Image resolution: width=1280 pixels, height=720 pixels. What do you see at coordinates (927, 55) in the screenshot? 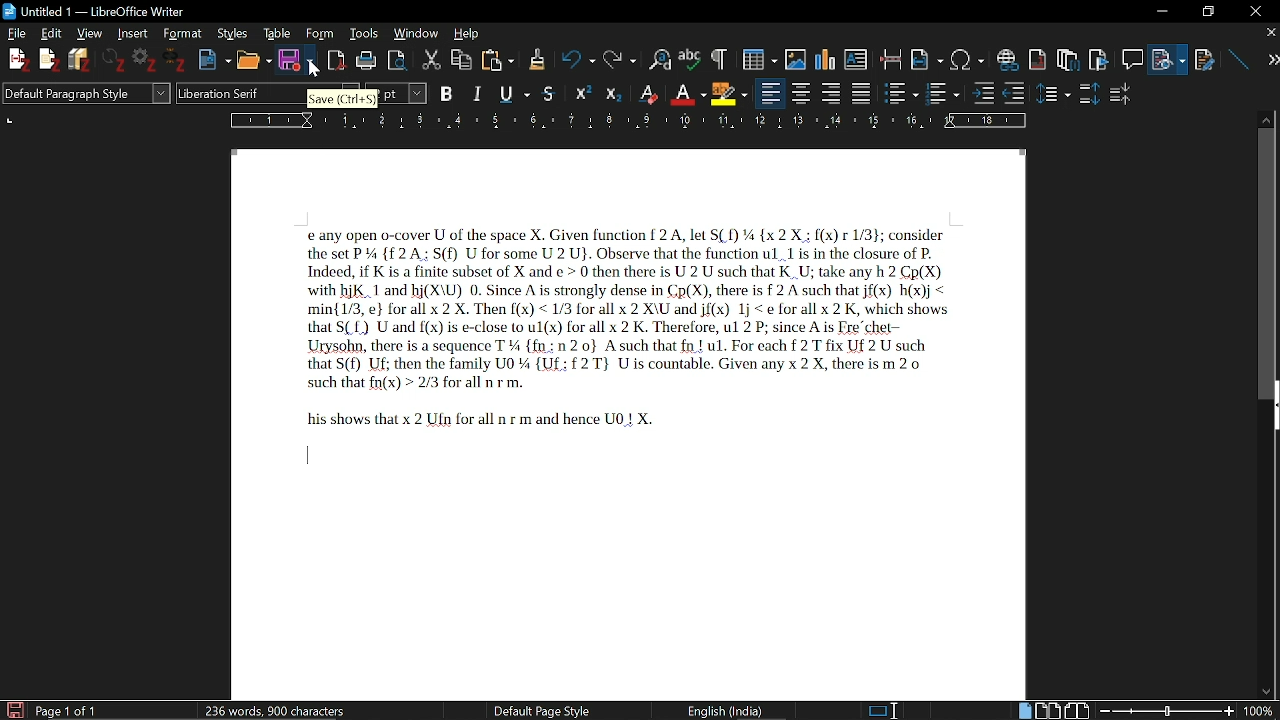
I see `Insert field` at bounding box center [927, 55].